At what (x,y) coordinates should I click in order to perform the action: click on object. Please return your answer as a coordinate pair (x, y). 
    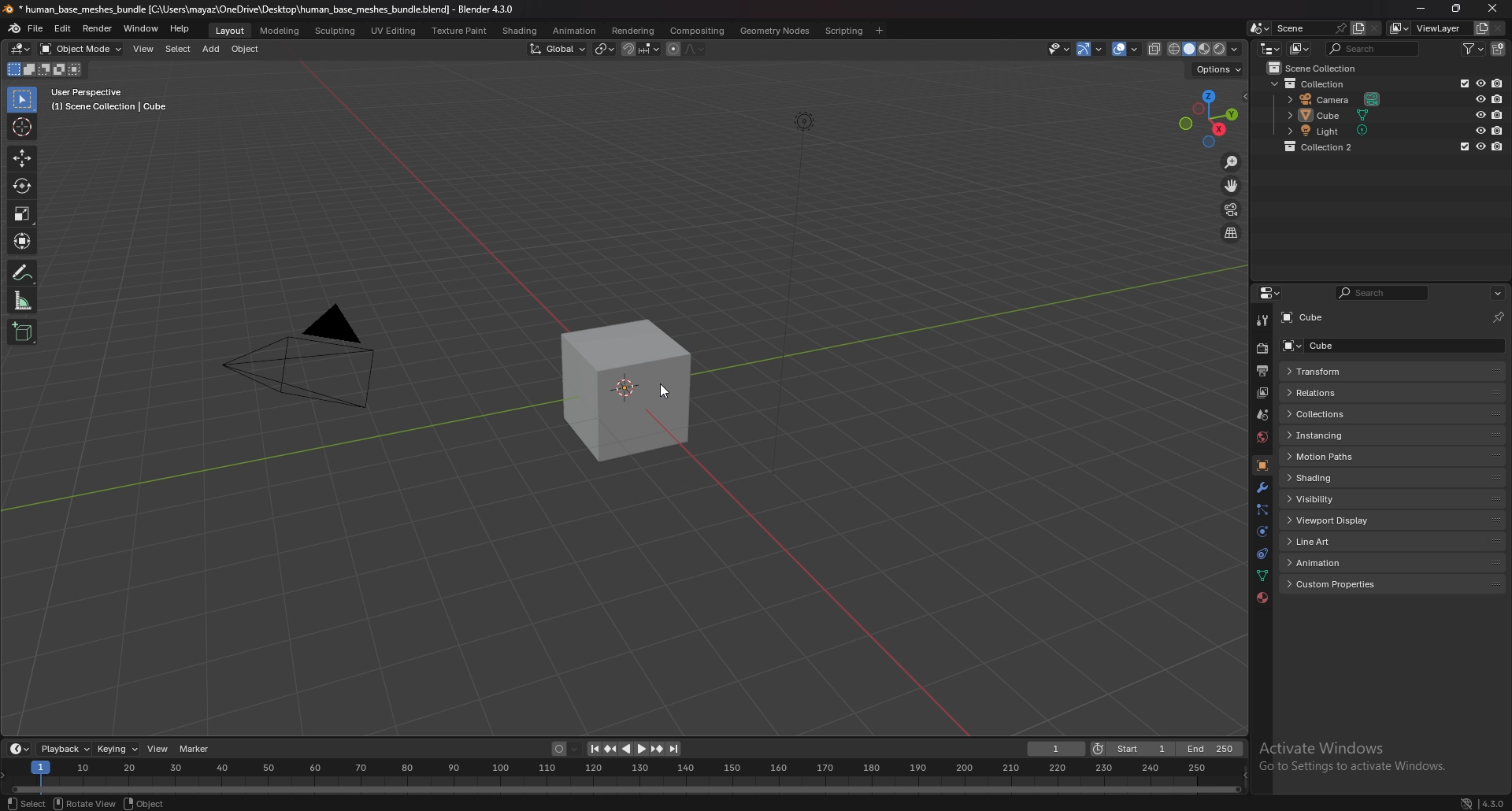
    Looking at the image, I should click on (1262, 466).